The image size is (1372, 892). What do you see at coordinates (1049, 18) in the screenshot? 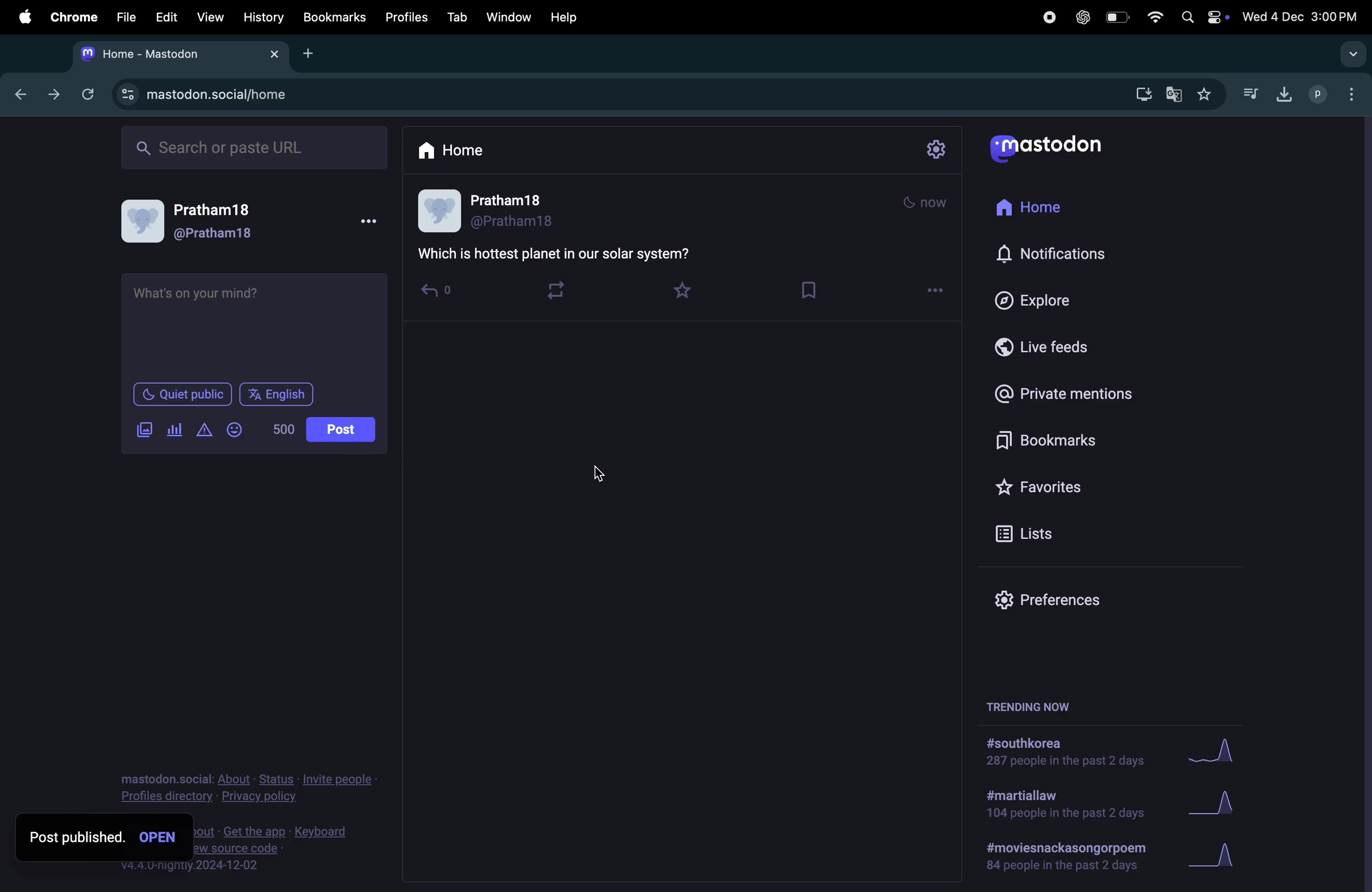
I see `record` at bounding box center [1049, 18].